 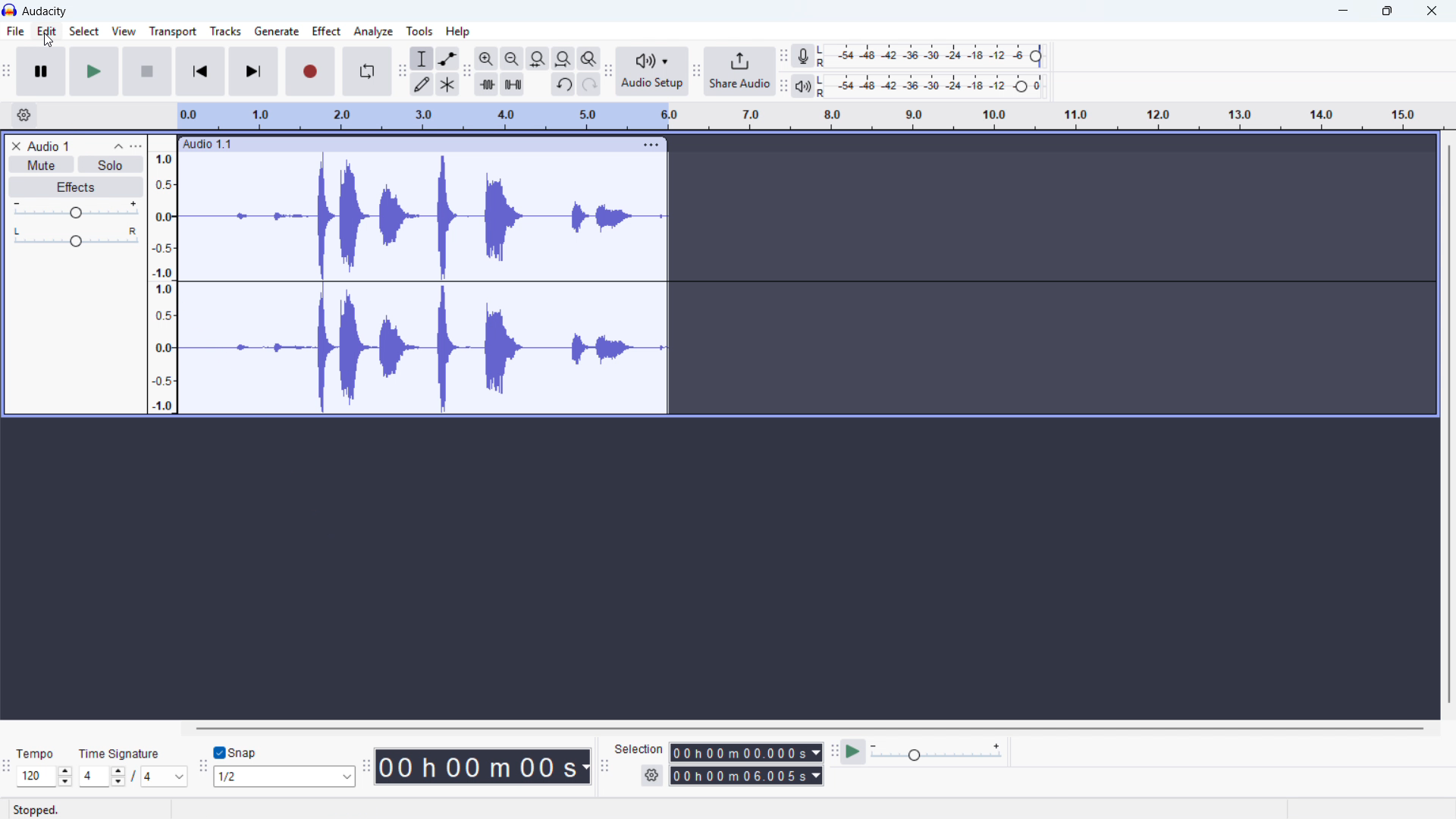 I want to click on select, so click(x=85, y=30).